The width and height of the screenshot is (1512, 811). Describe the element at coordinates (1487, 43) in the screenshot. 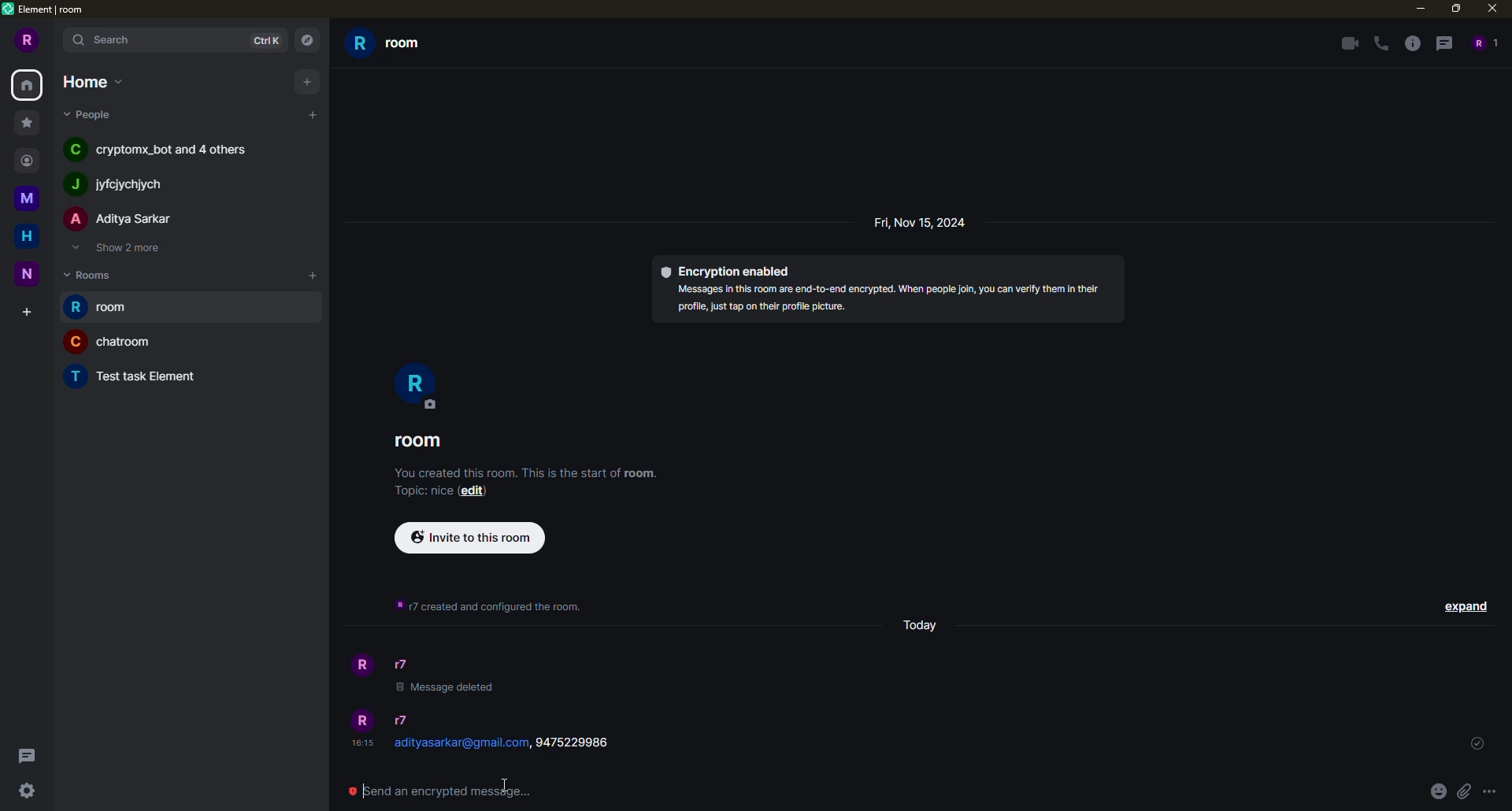

I see `people` at that location.